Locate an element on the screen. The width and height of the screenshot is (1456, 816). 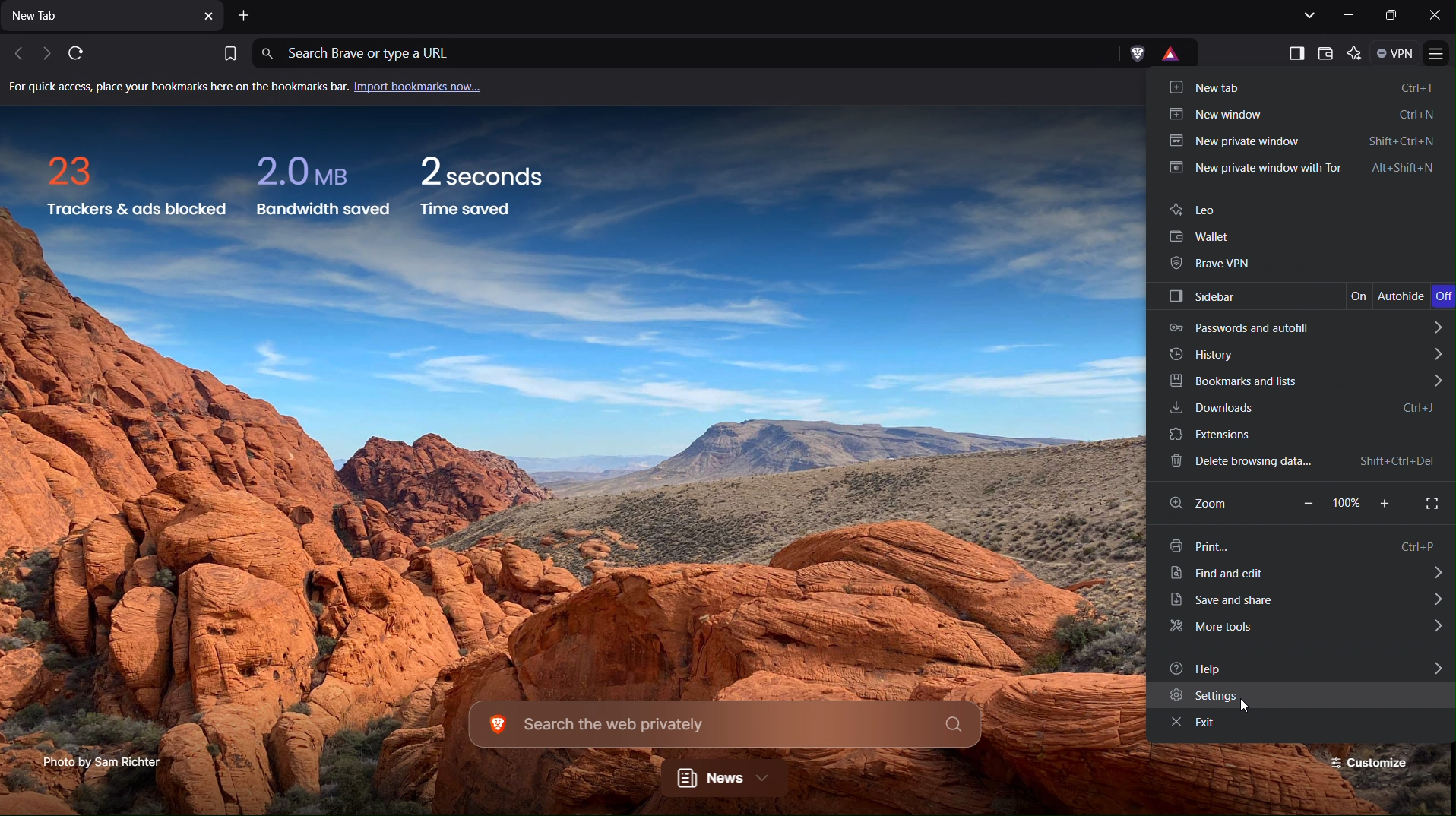
Trackers and ads blocked is located at coordinates (135, 184).